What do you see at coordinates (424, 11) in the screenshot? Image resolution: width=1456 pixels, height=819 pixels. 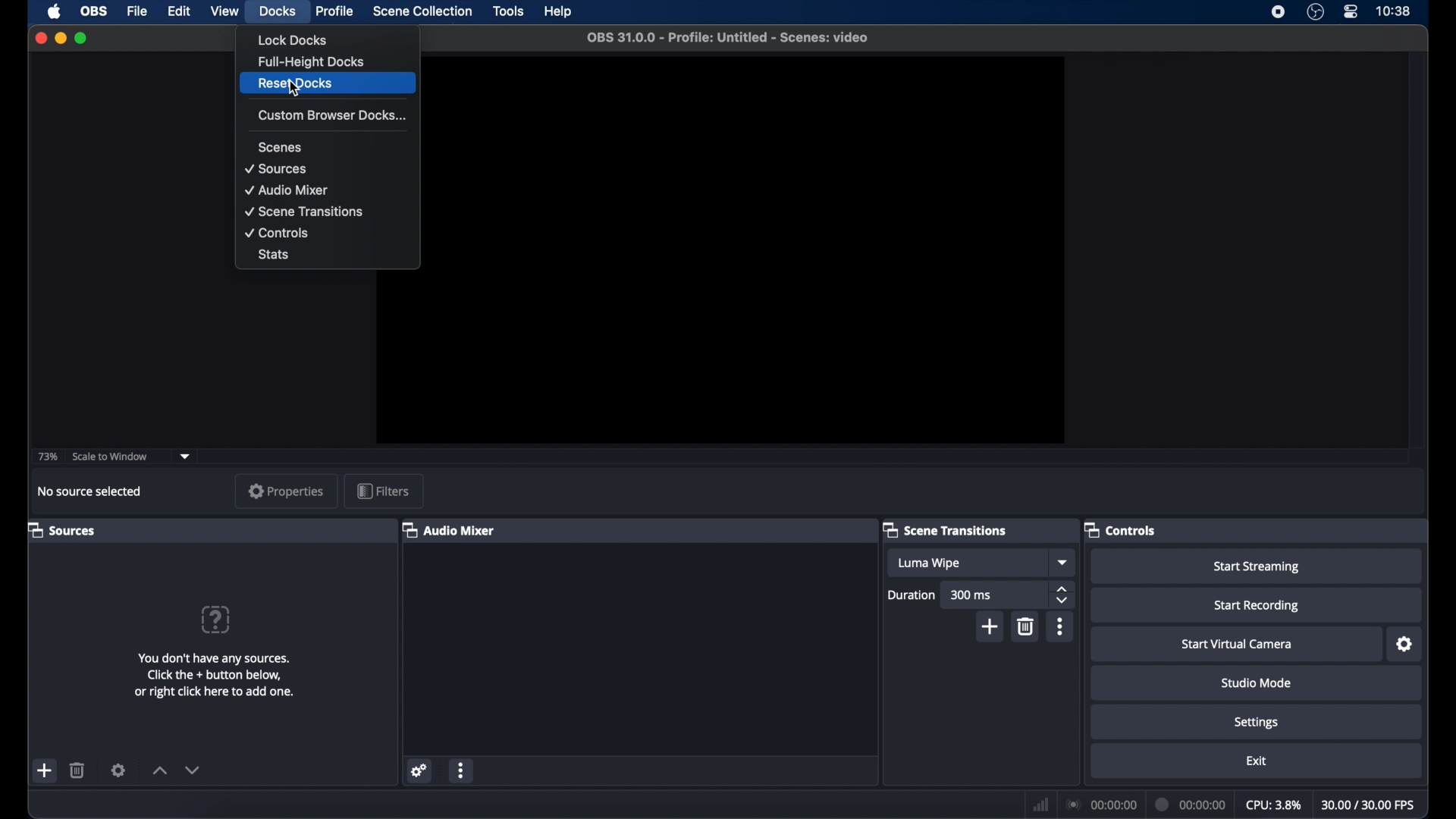 I see `scene collection` at bounding box center [424, 11].